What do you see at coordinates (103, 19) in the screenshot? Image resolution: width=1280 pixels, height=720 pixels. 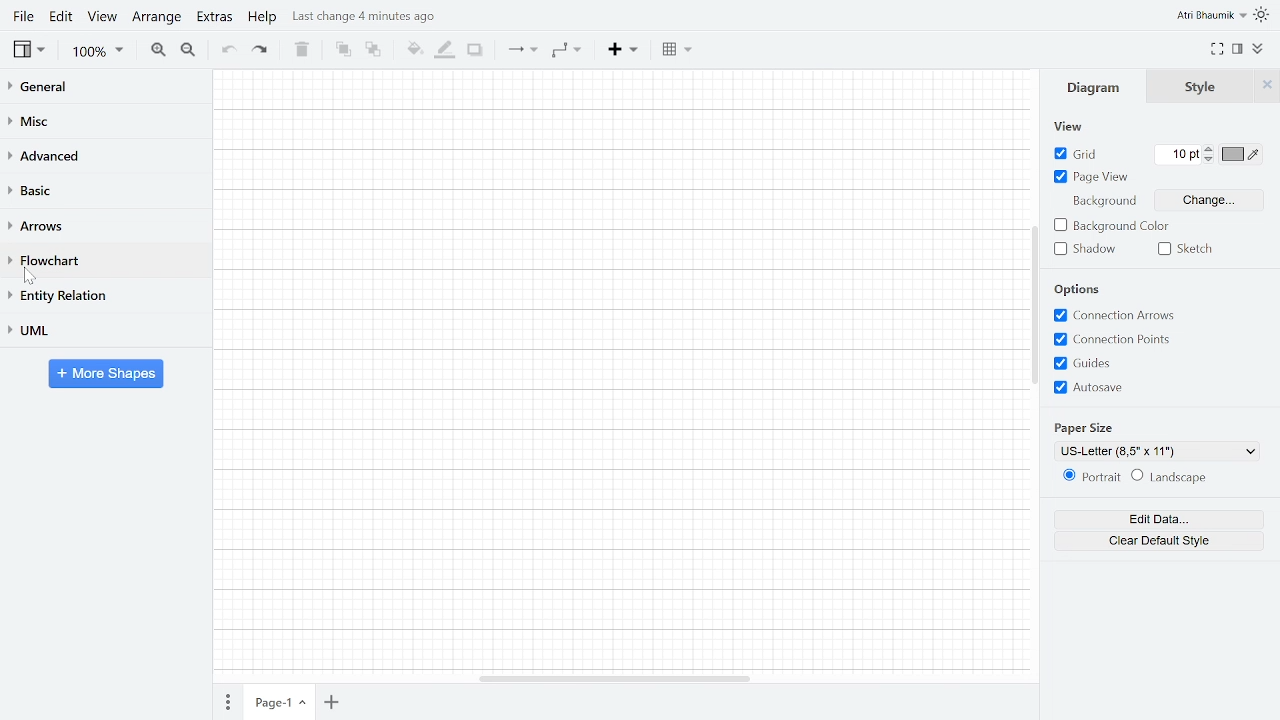 I see `View` at bounding box center [103, 19].